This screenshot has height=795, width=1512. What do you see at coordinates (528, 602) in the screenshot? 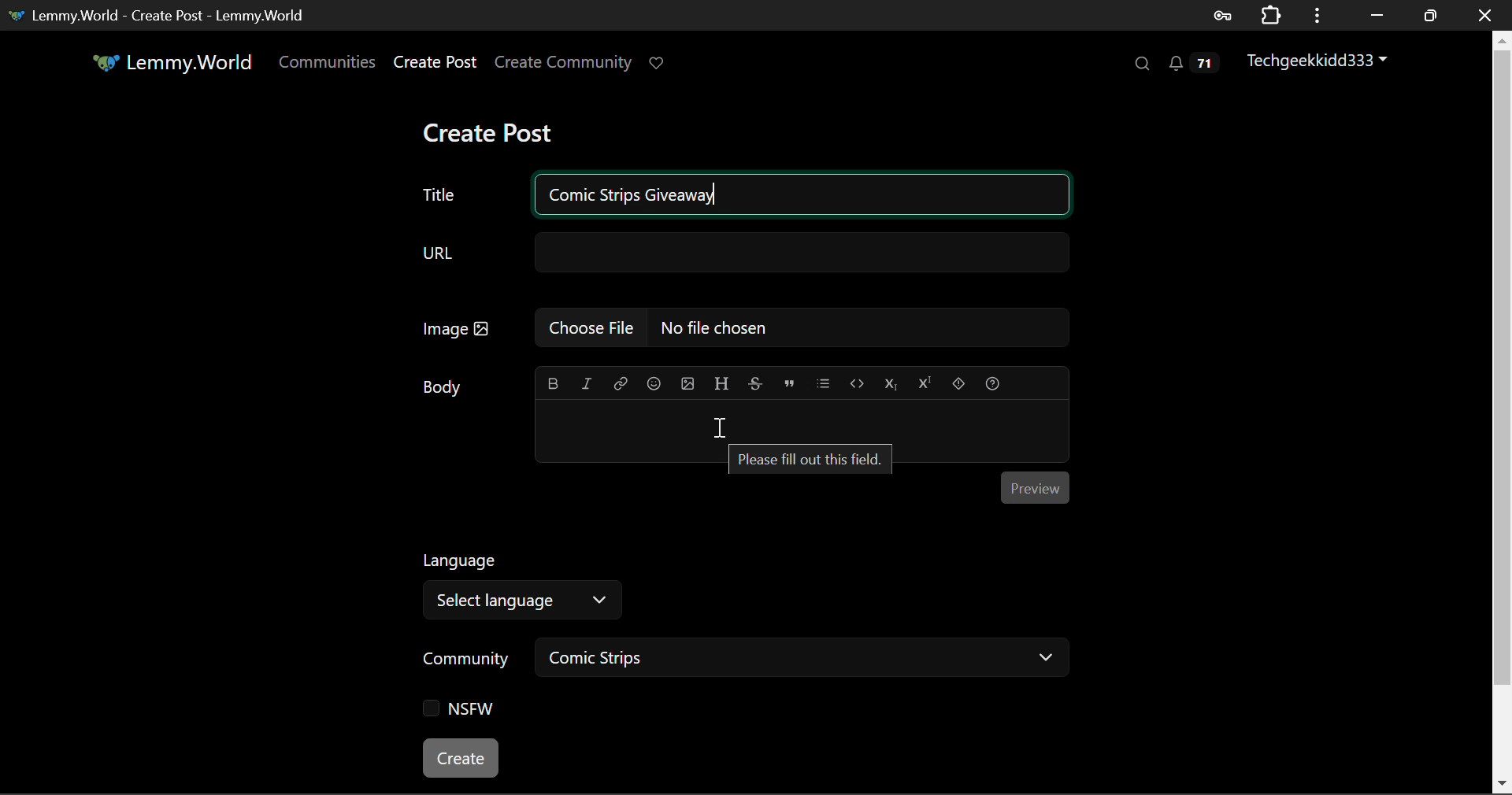
I see `Select Language` at bounding box center [528, 602].